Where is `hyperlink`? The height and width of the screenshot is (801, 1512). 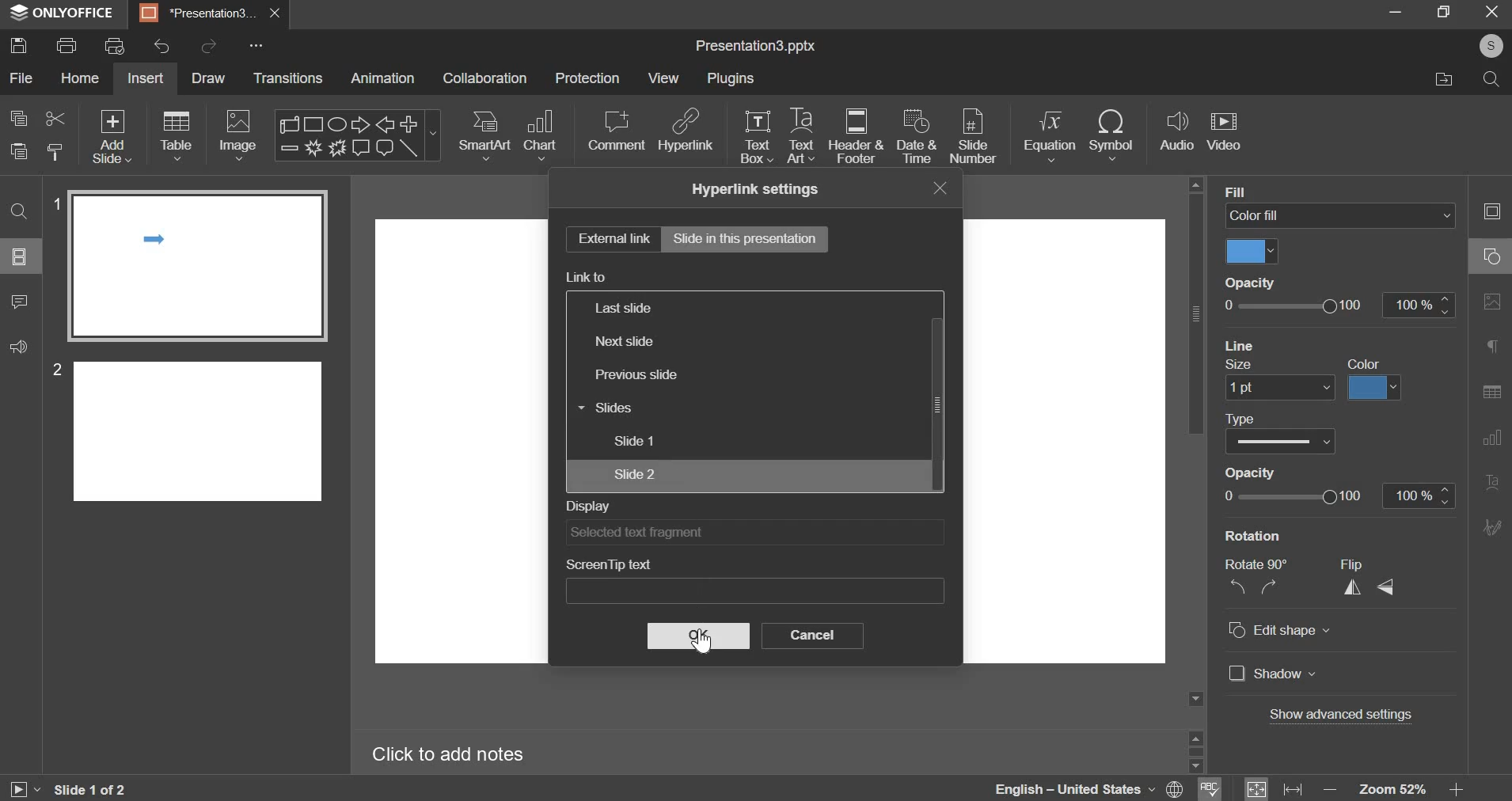 hyperlink is located at coordinates (687, 129).